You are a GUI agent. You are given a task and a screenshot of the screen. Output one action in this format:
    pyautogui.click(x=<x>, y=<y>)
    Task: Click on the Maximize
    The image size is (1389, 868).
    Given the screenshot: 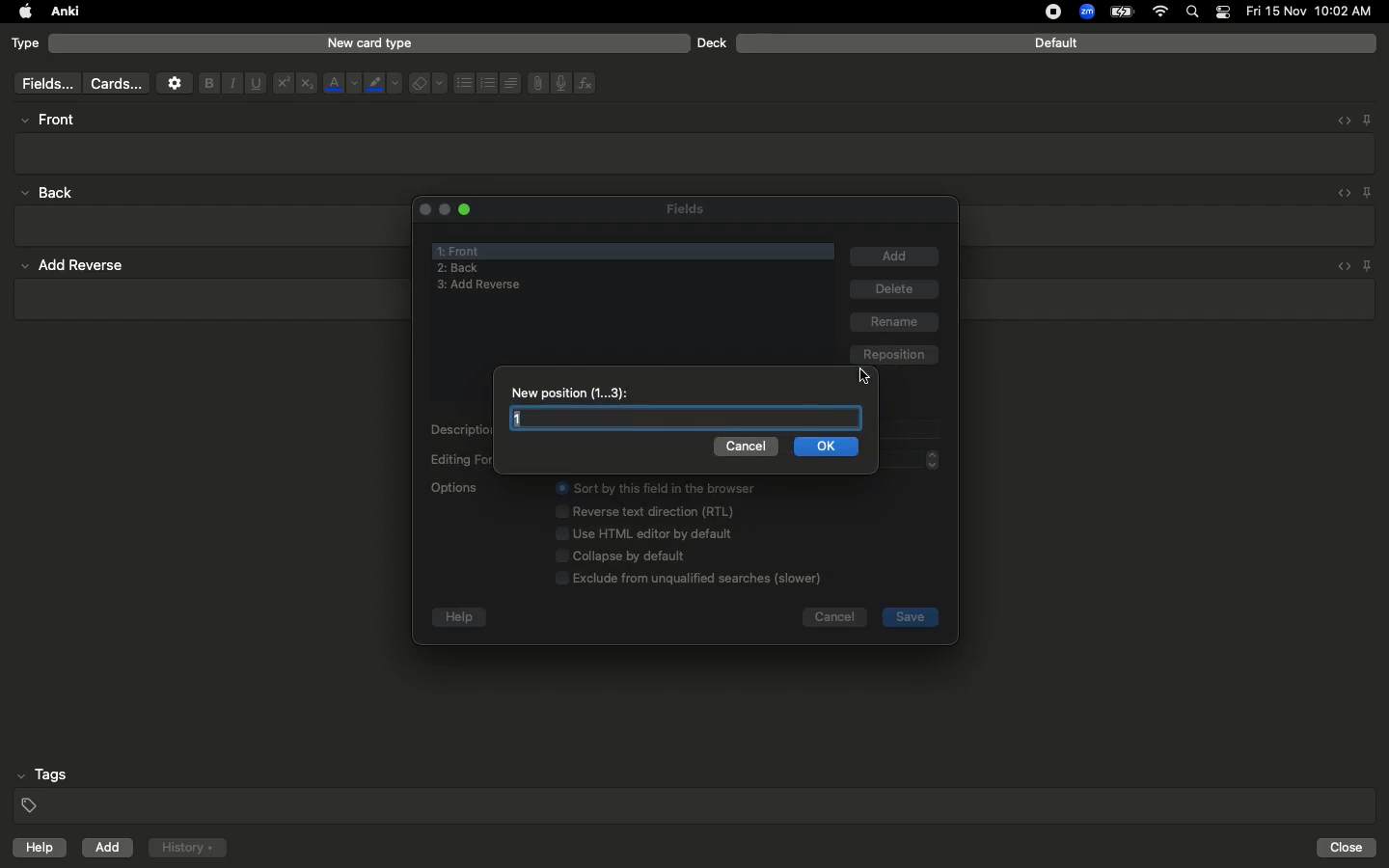 What is the action you would take?
    pyautogui.click(x=467, y=212)
    